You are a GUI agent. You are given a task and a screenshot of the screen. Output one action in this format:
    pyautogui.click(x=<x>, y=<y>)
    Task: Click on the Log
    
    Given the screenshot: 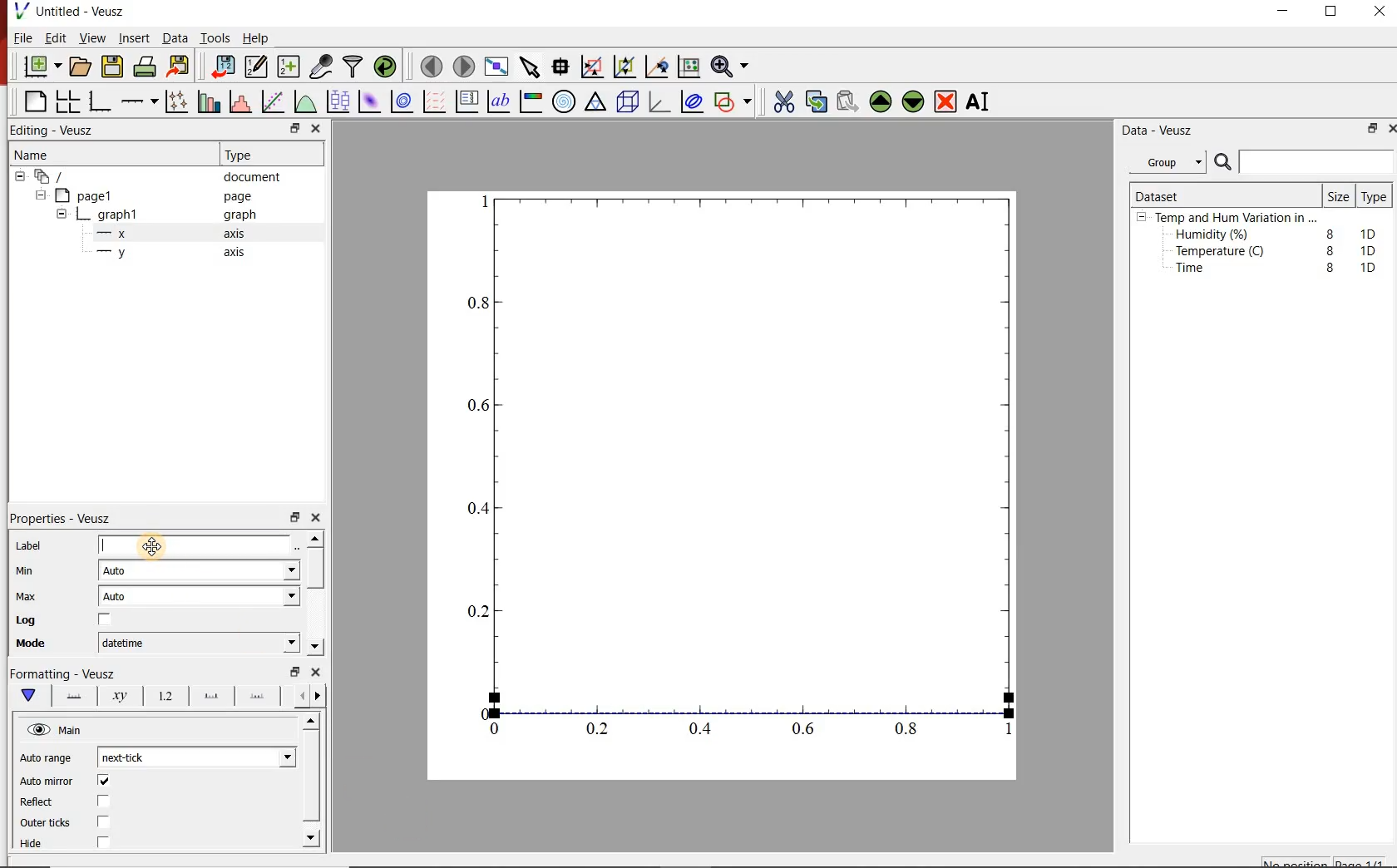 What is the action you would take?
    pyautogui.click(x=77, y=621)
    